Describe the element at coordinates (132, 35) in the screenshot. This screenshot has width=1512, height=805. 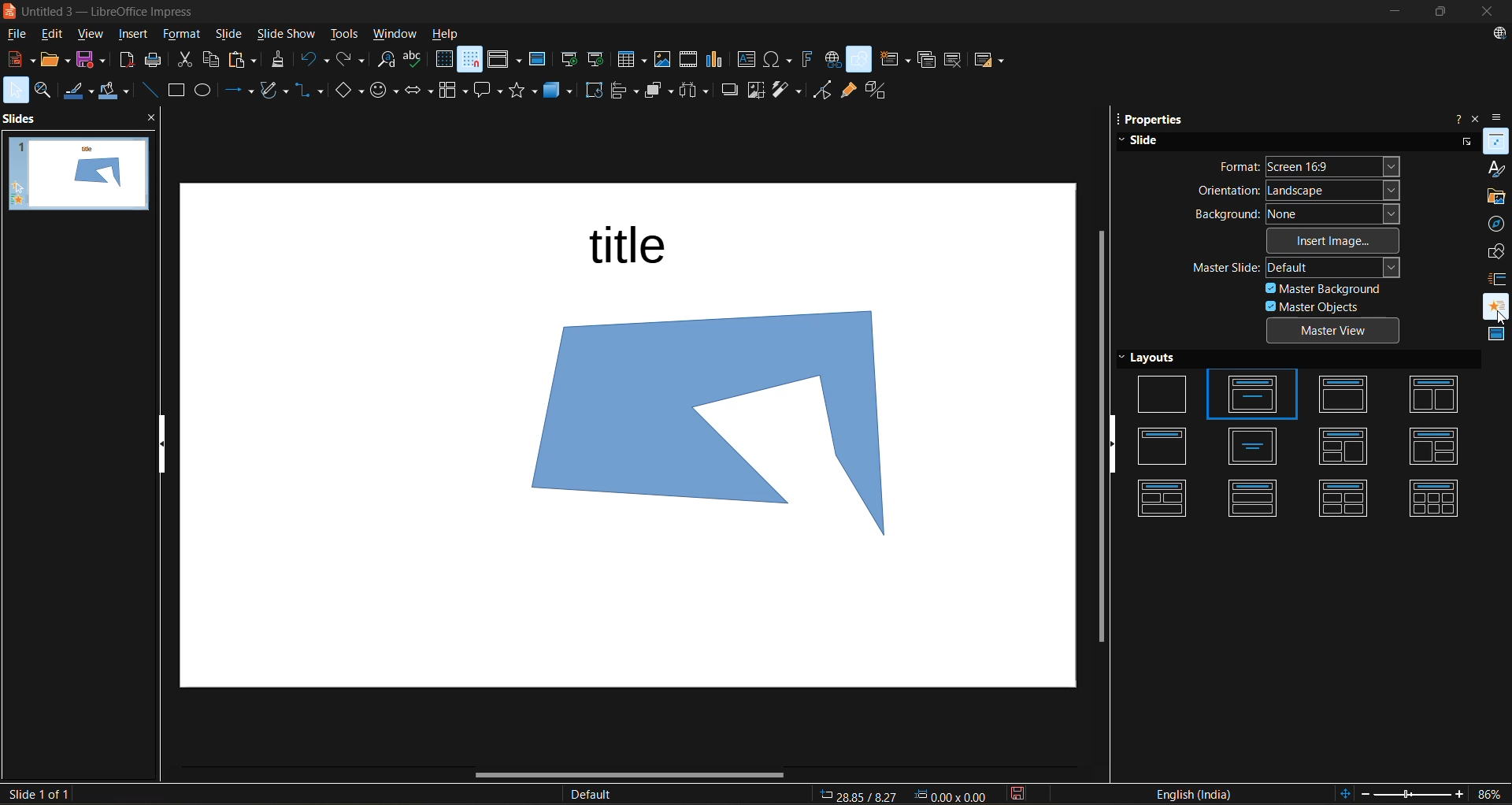
I see `insert` at that location.